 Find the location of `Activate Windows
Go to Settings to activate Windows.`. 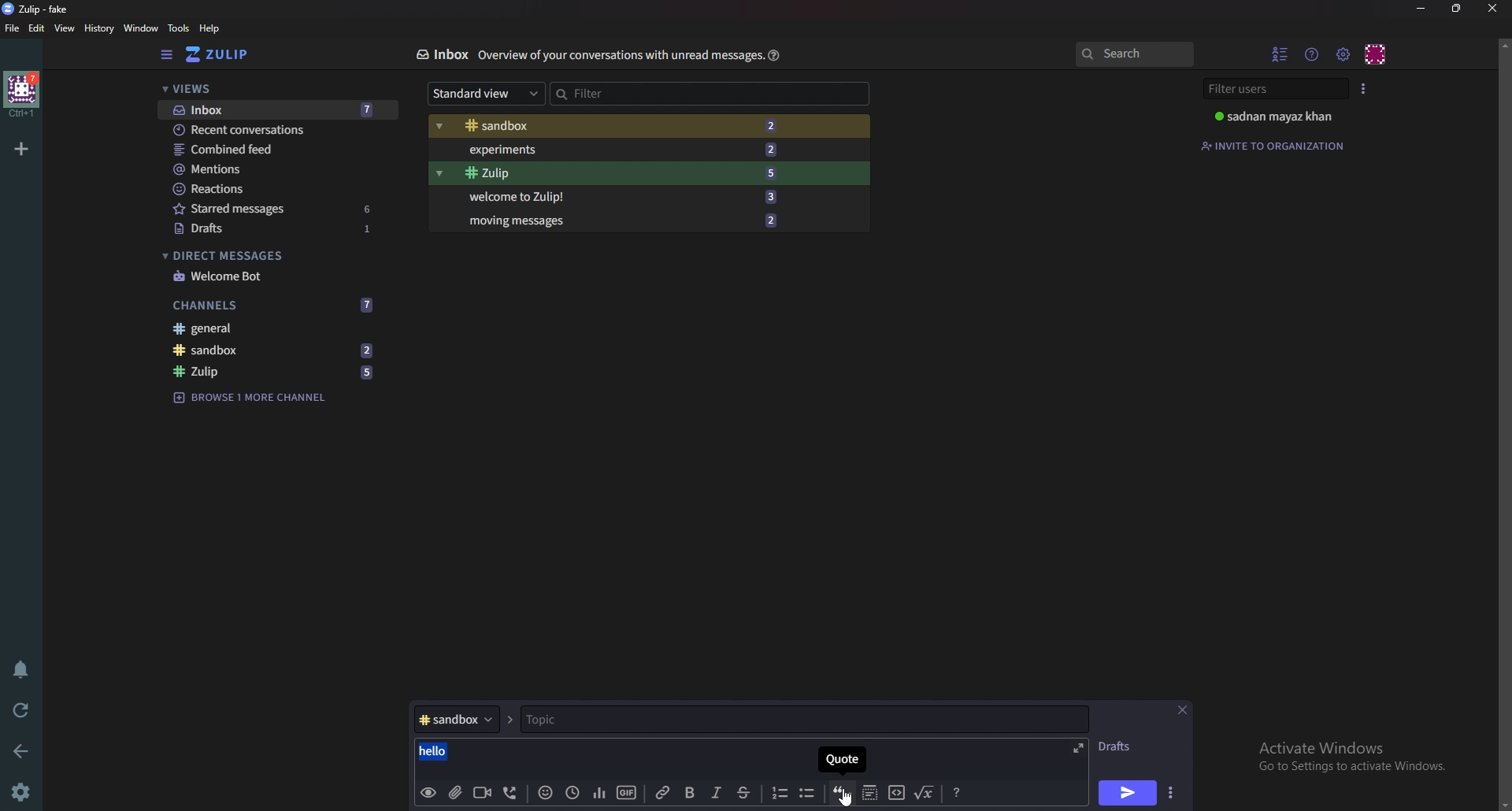

Activate Windows
Go to Settings to activate Windows. is located at coordinates (1351, 759).